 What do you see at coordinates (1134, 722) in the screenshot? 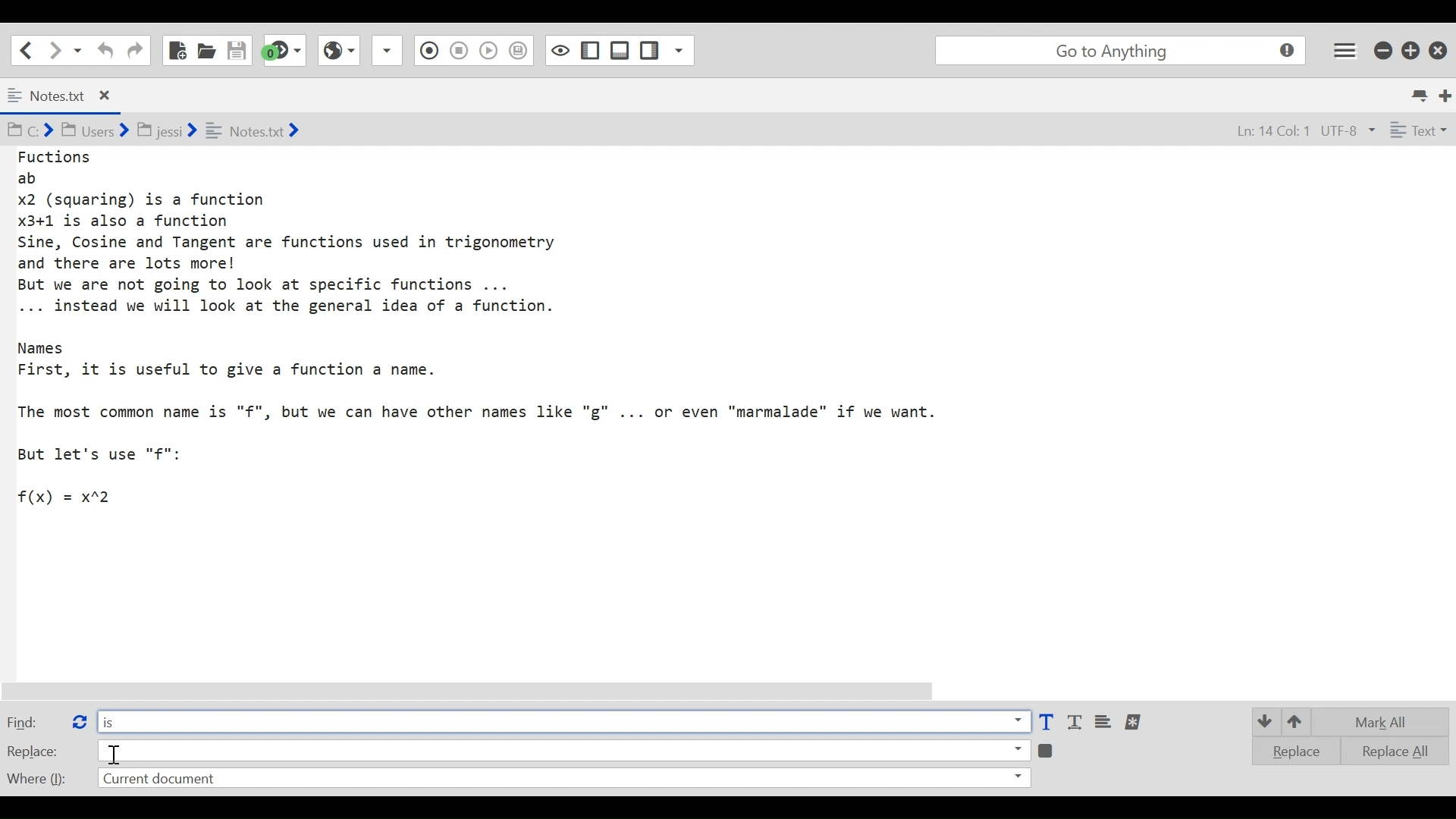
I see `more options` at bounding box center [1134, 722].